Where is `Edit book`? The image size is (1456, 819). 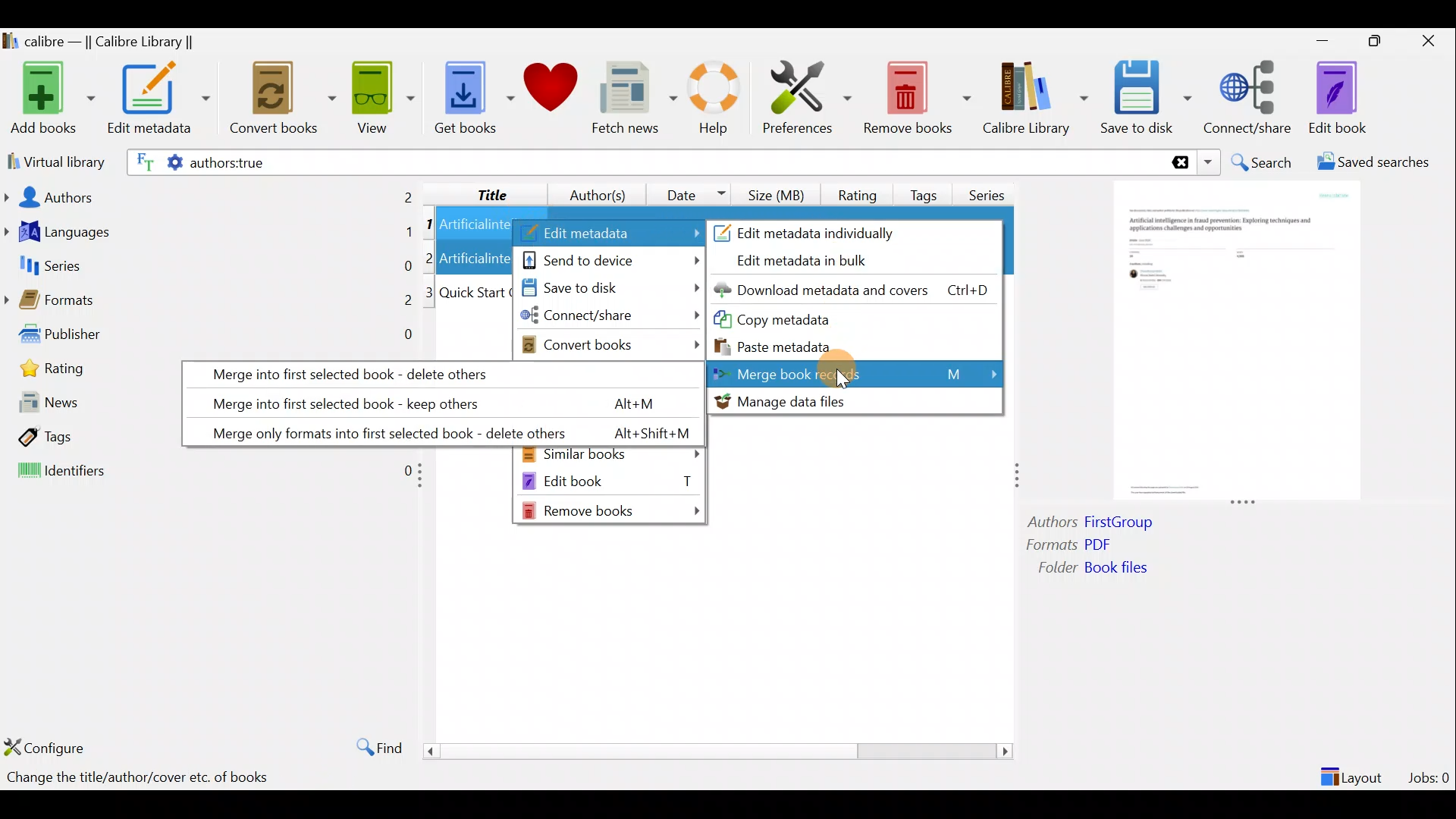
Edit book is located at coordinates (609, 480).